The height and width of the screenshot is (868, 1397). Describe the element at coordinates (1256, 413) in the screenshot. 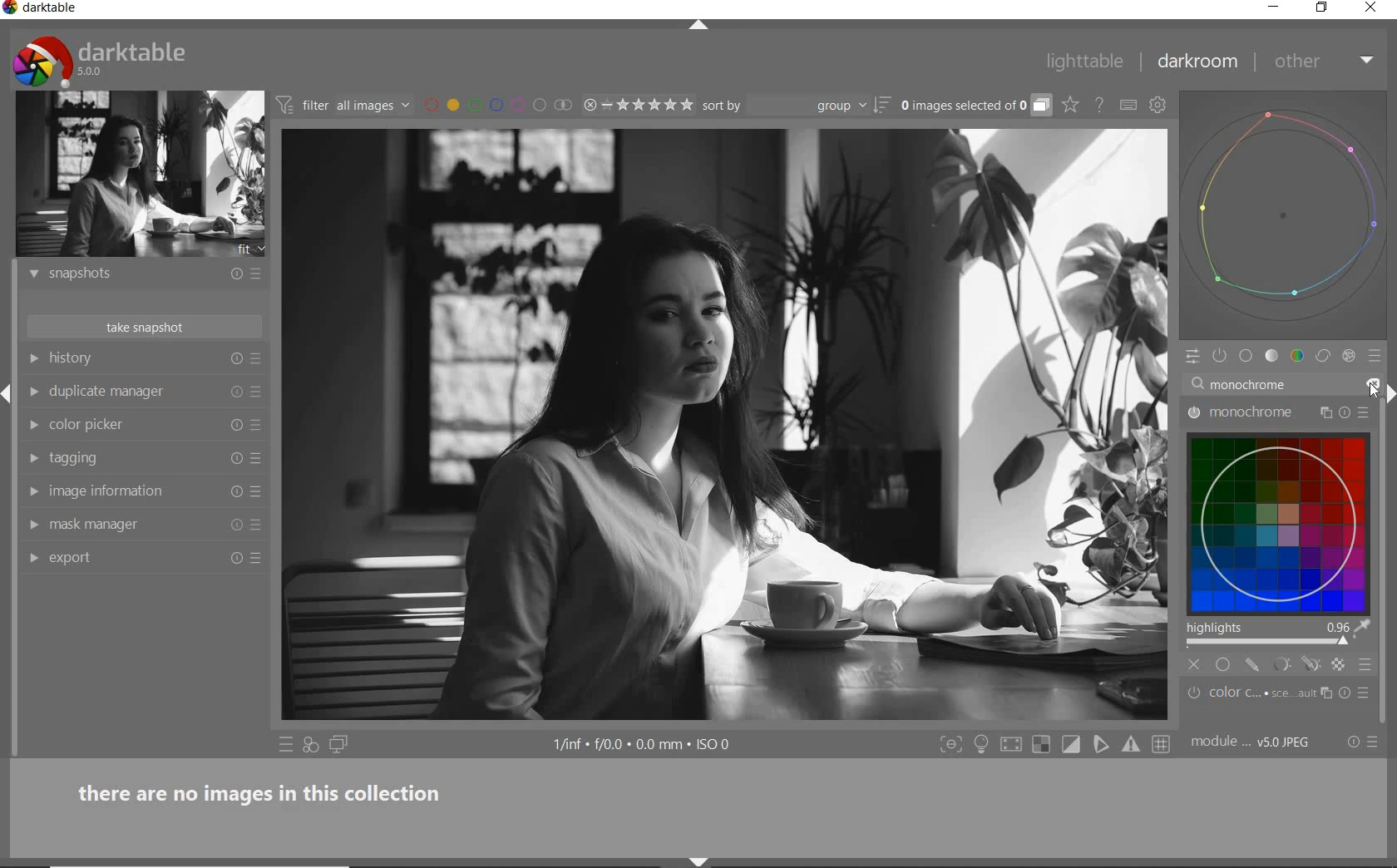

I see `monochrome` at that location.